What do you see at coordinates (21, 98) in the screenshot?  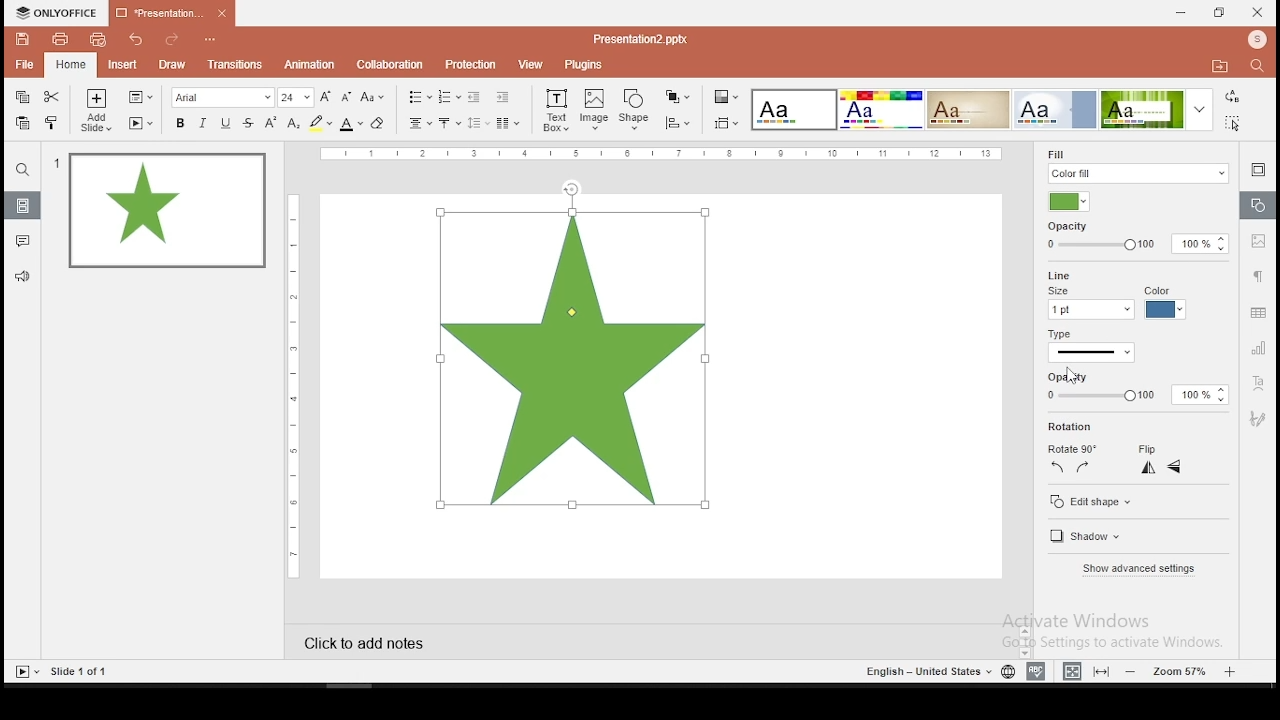 I see `copy` at bounding box center [21, 98].